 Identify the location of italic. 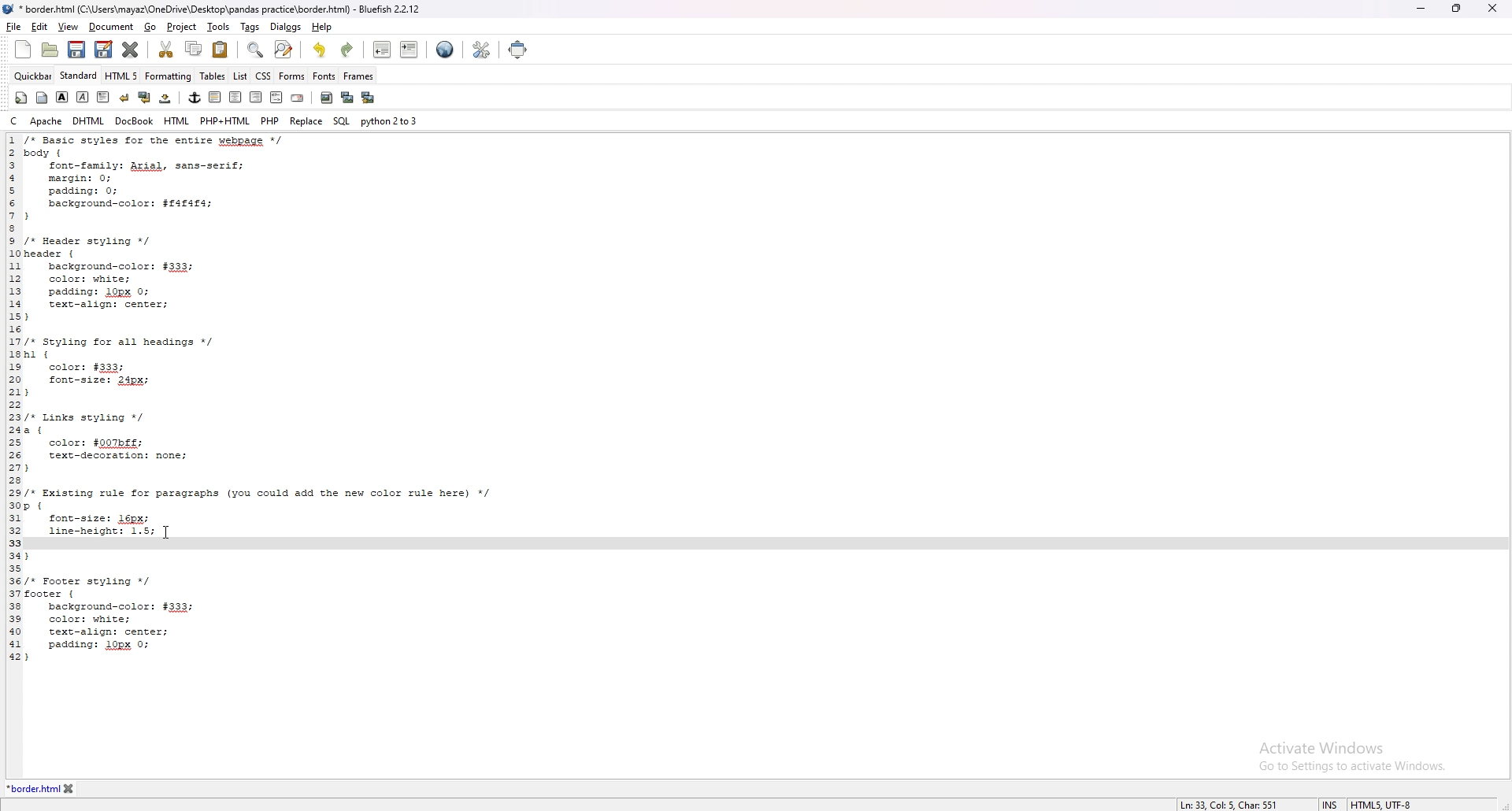
(83, 97).